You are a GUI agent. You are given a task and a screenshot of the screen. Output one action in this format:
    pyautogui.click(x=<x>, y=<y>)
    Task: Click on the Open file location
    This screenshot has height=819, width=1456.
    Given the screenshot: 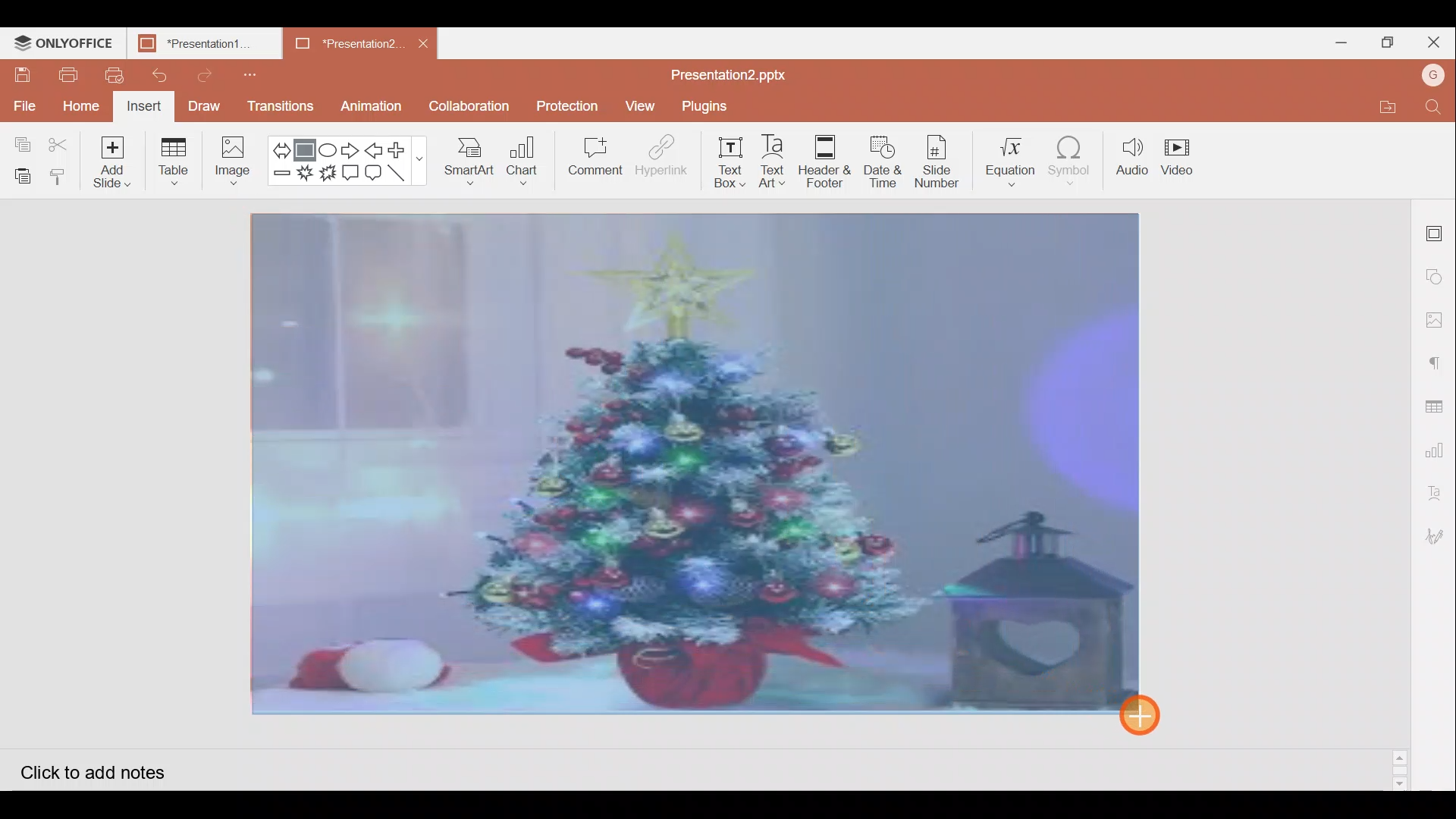 What is the action you would take?
    pyautogui.click(x=1393, y=107)
    